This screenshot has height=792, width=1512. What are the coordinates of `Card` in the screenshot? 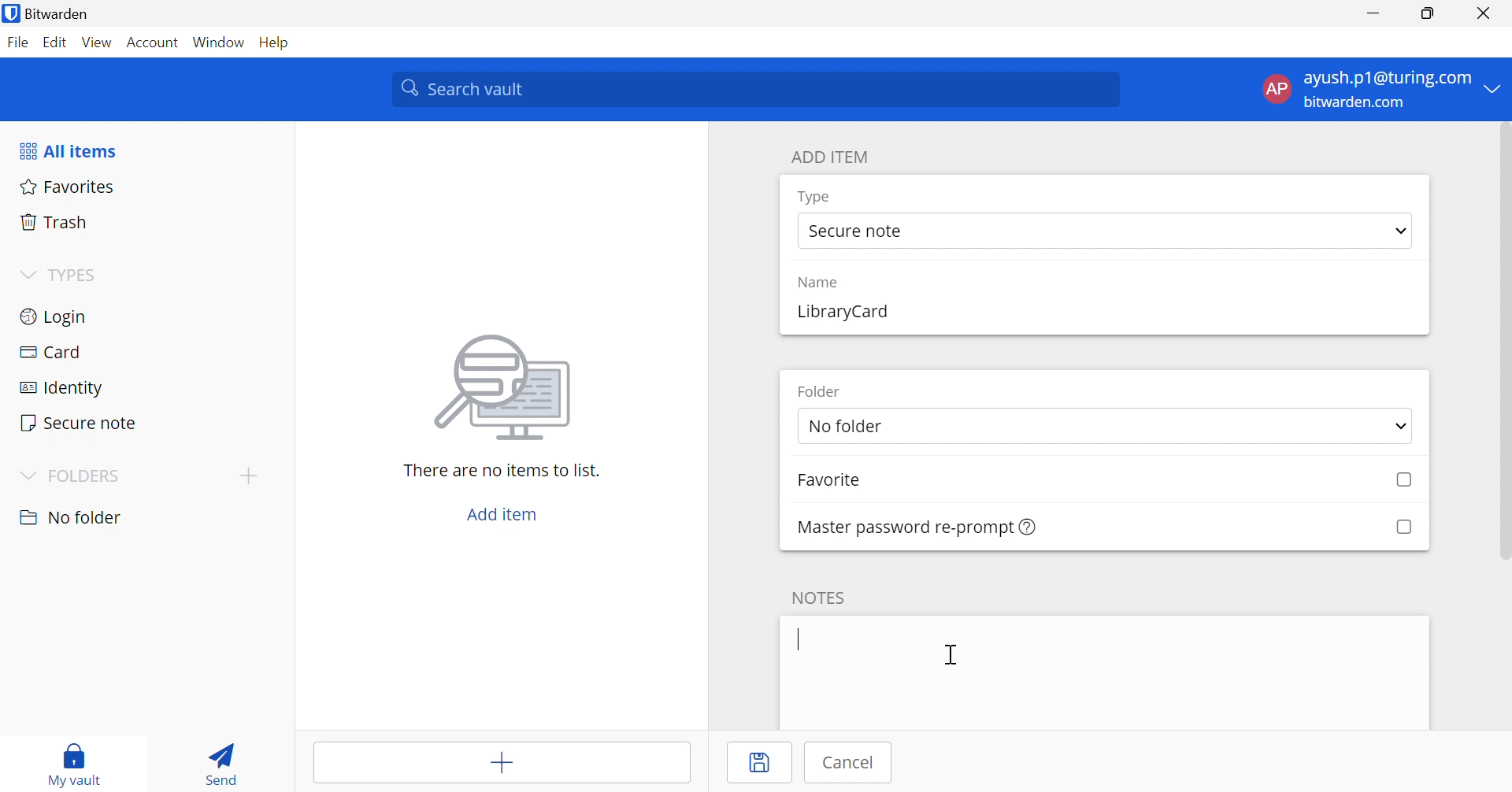 It's located at (141, 349).